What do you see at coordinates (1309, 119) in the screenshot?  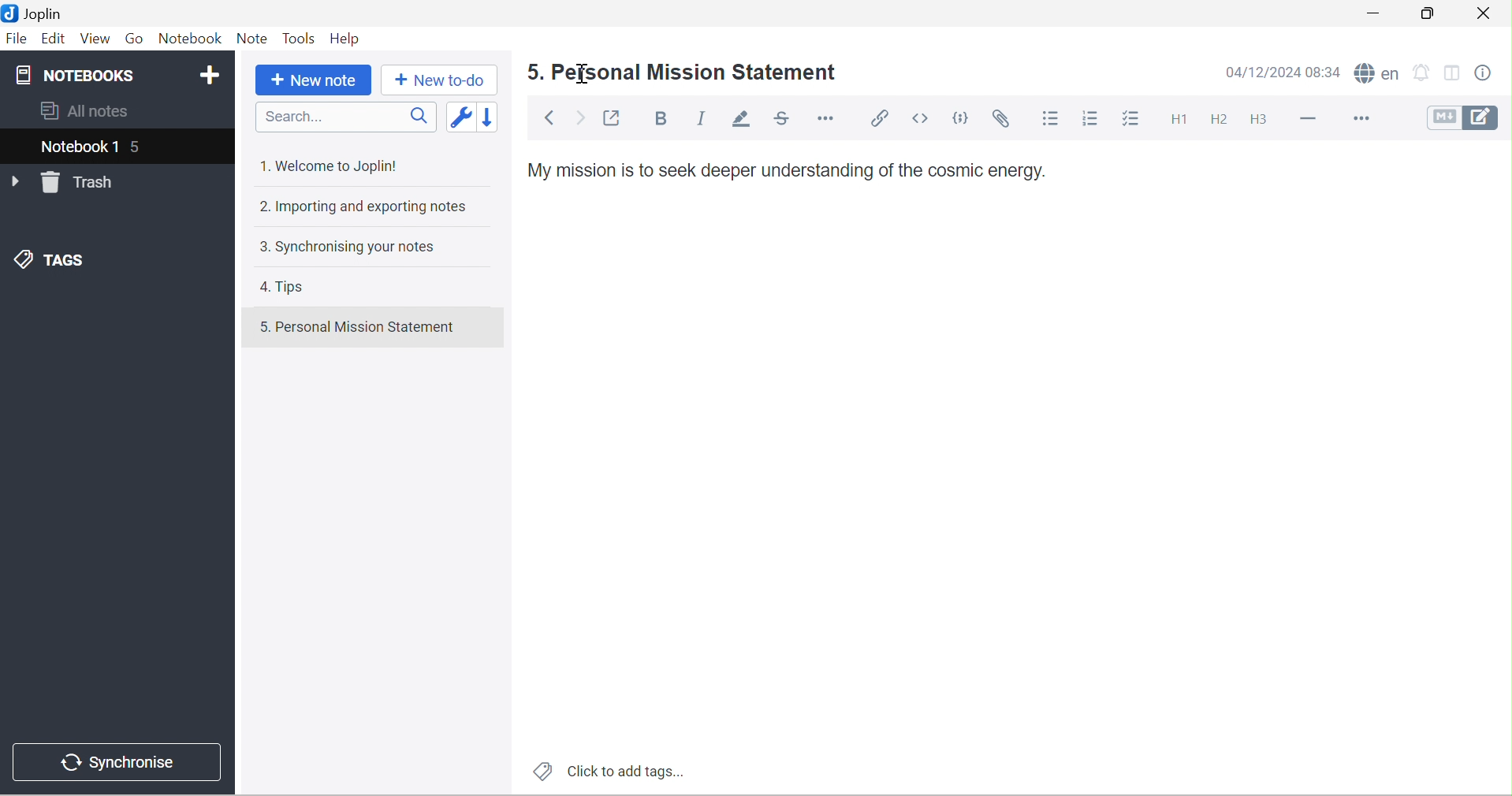 I see `Horizontal lines` at bounding box center [1309, 119].